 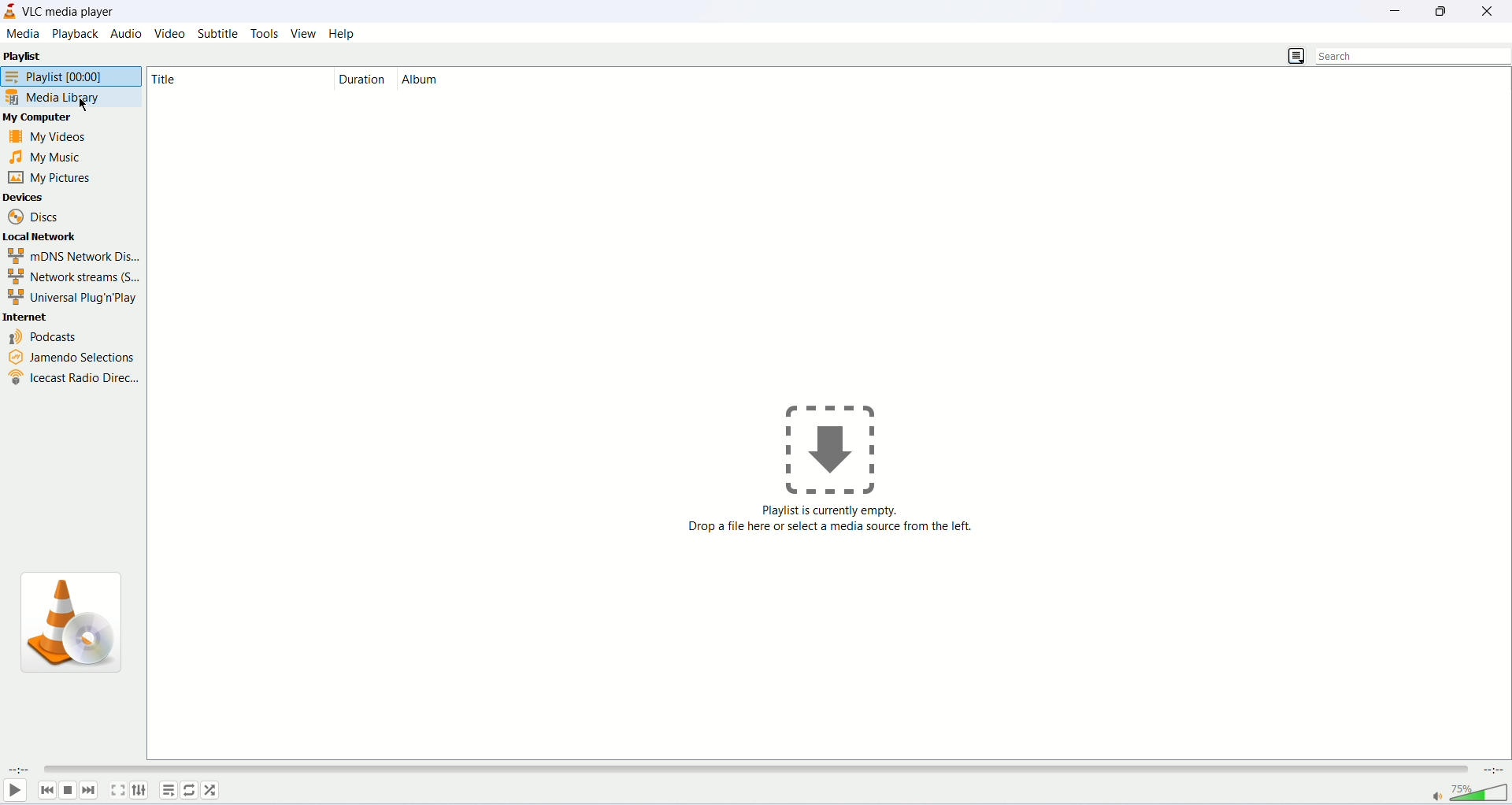 I want to click on extended settings, so click(x=140, y=792).